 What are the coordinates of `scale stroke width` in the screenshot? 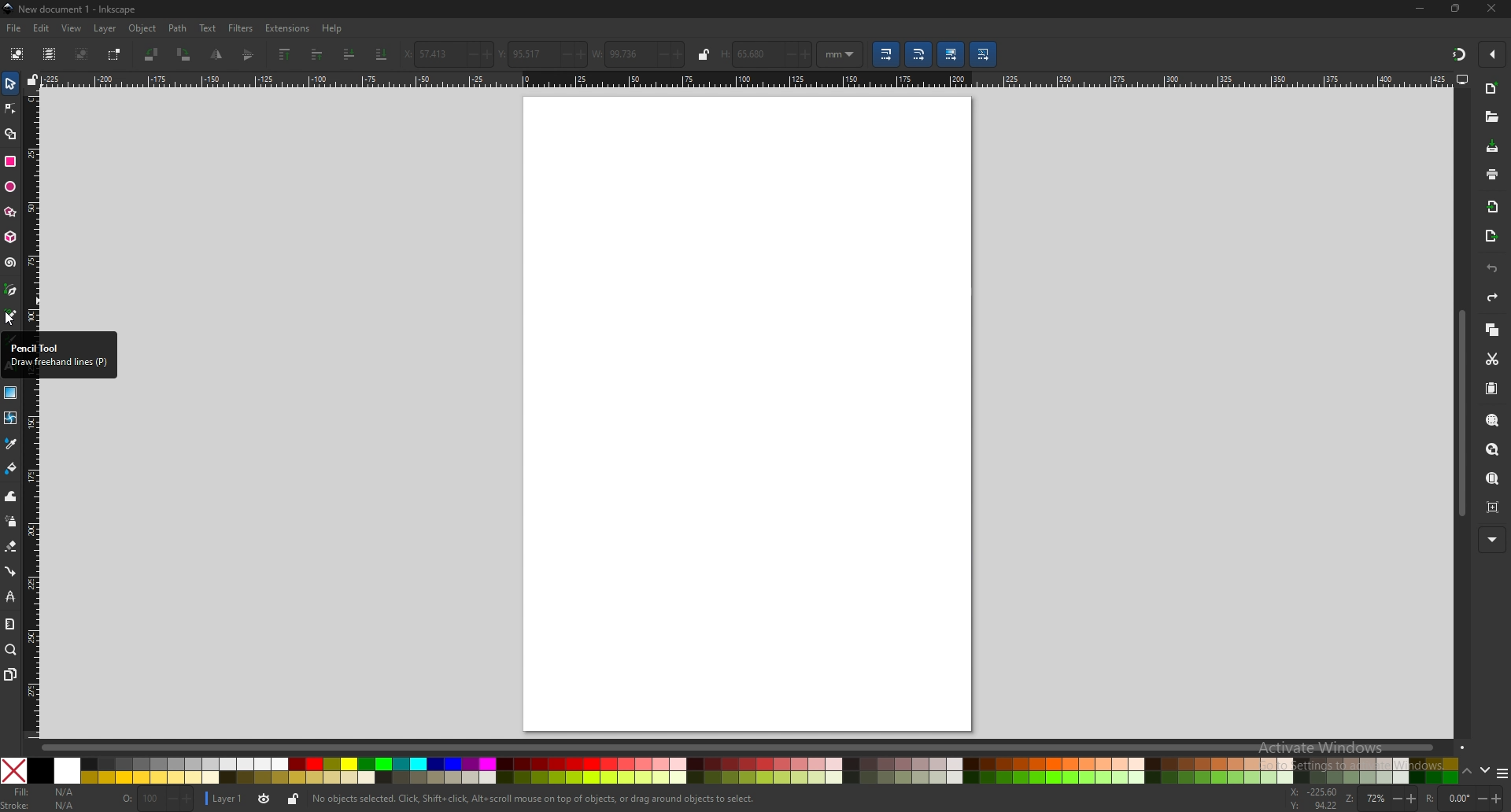 It's located at (886, 55).